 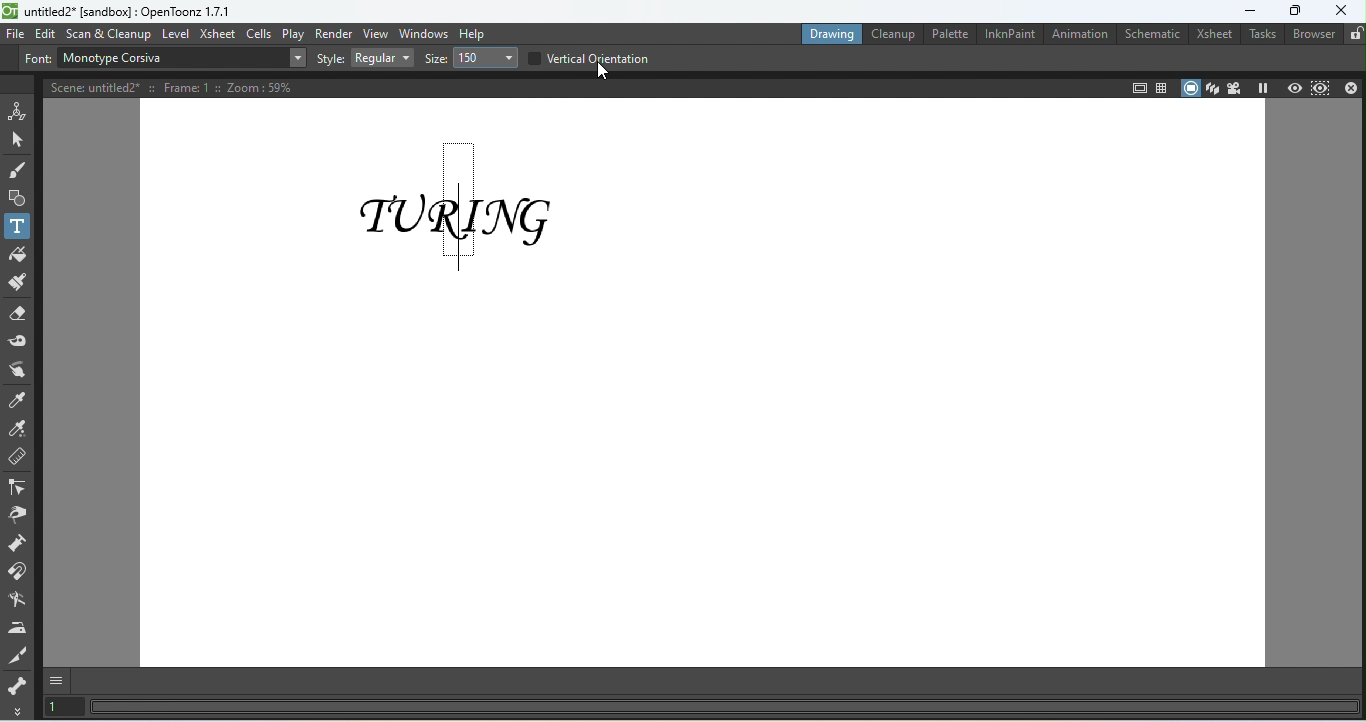 What do you see at coordinates (381, 58) in the screenshot?
I see `Drop down` at bounding box center [381, 58].